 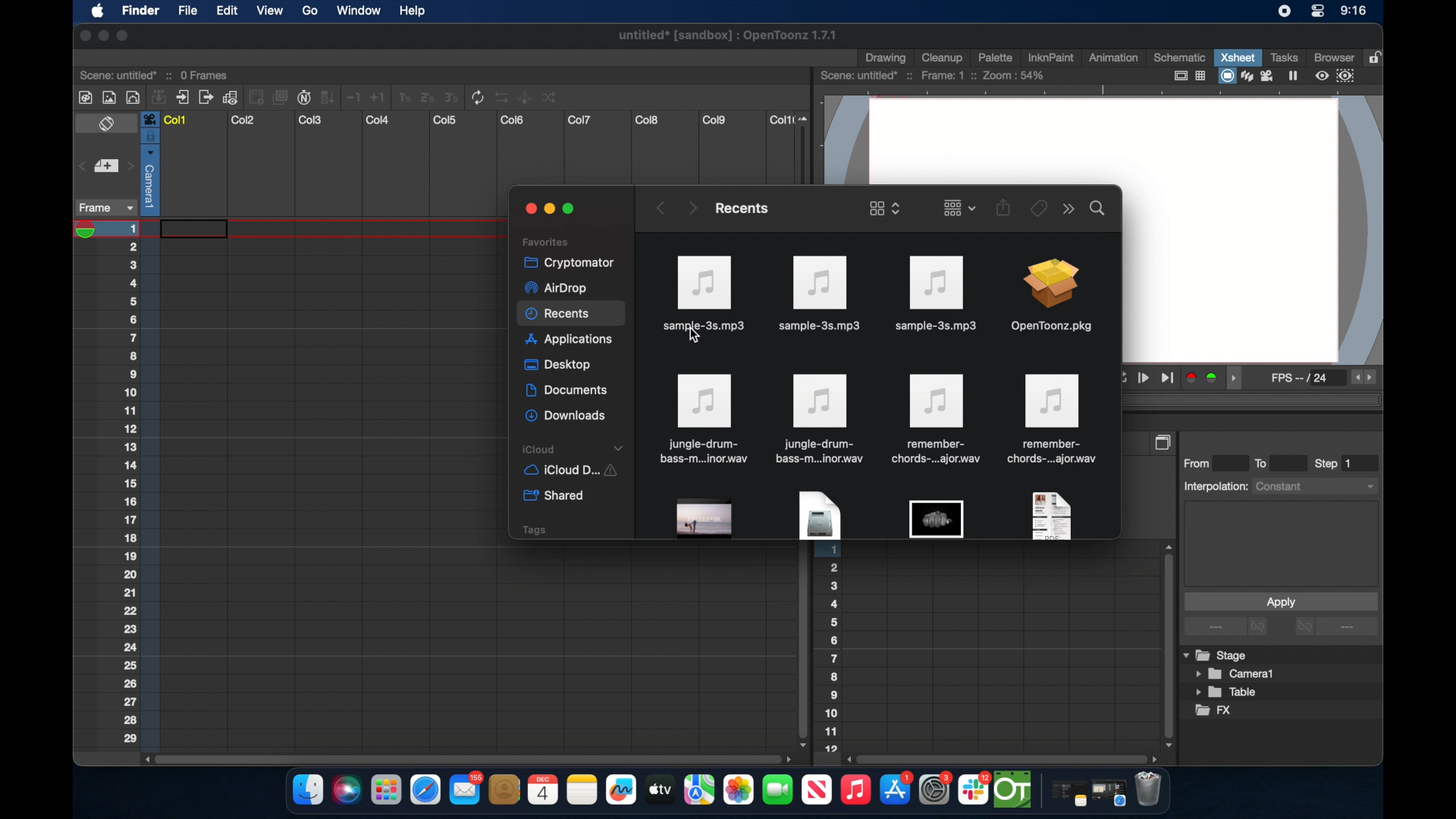 What do you see at coordinates (105, 167) in the screenshot?
I see `set` at bounding box center [105, 167].